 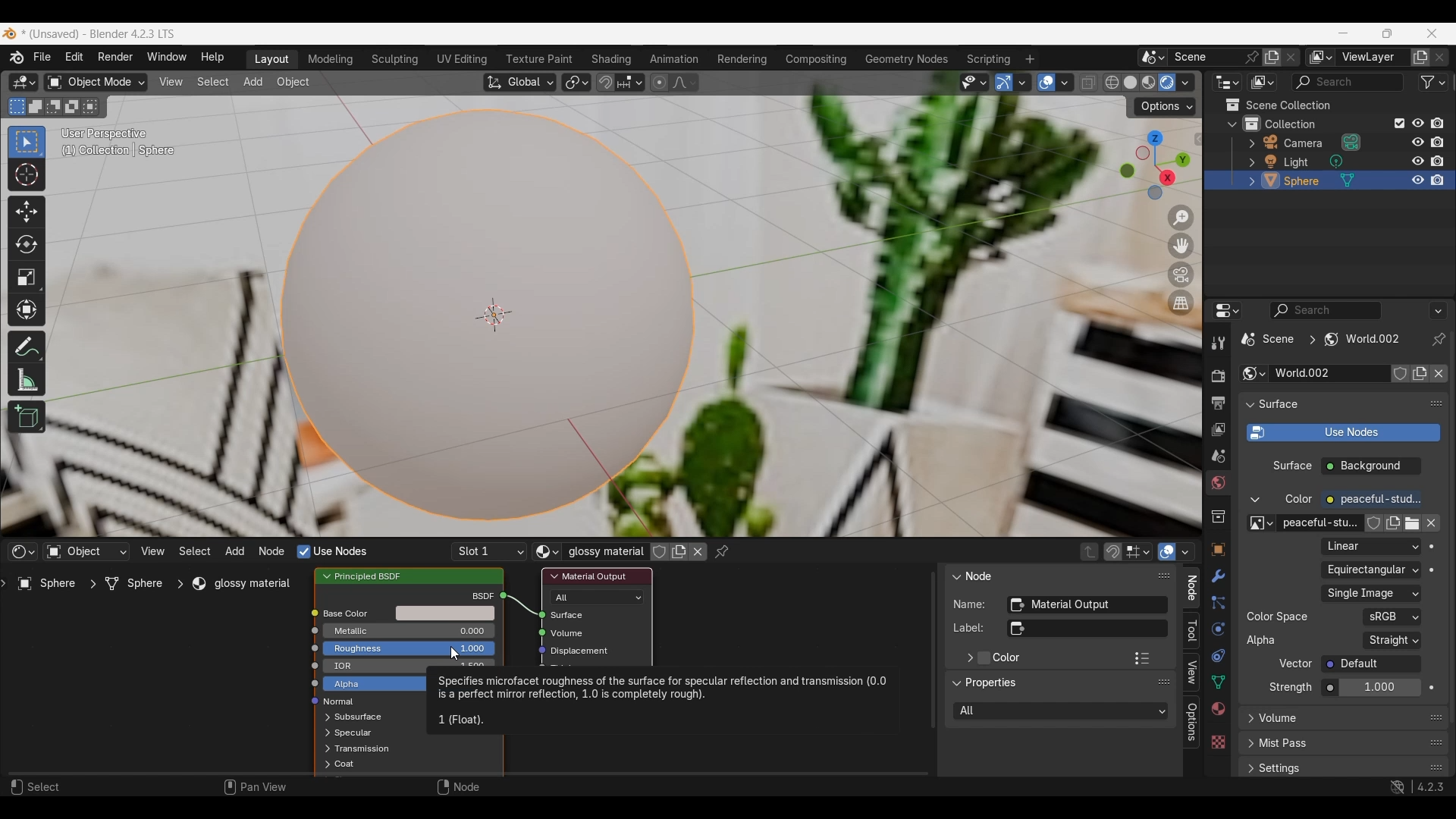 What do you see at coordinates (1278, 617) in the screenshot?
I see `color space` at bounding box center [1278, 617].